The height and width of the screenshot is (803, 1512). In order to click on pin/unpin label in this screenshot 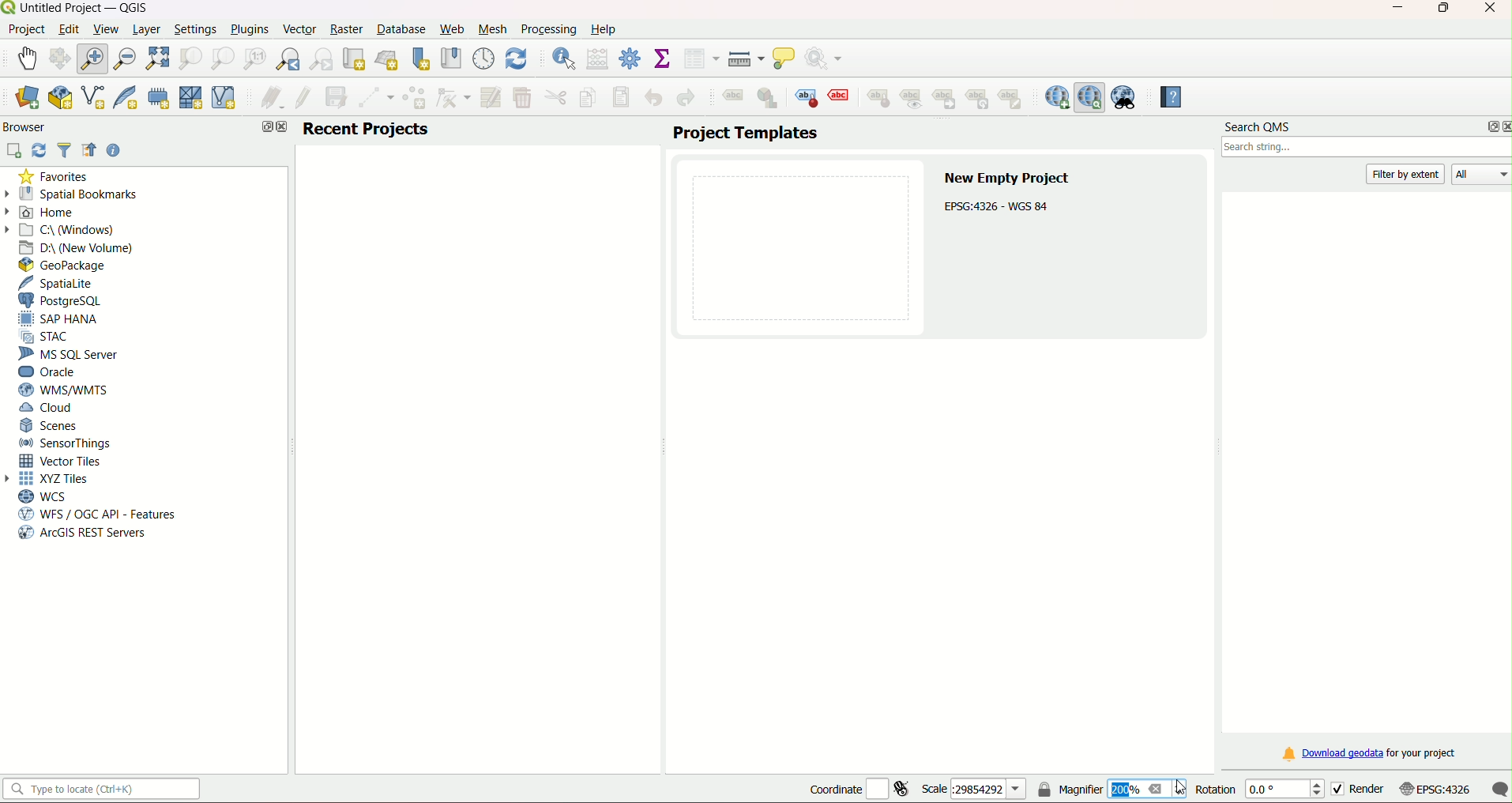, I will do `click(877, 97)`.